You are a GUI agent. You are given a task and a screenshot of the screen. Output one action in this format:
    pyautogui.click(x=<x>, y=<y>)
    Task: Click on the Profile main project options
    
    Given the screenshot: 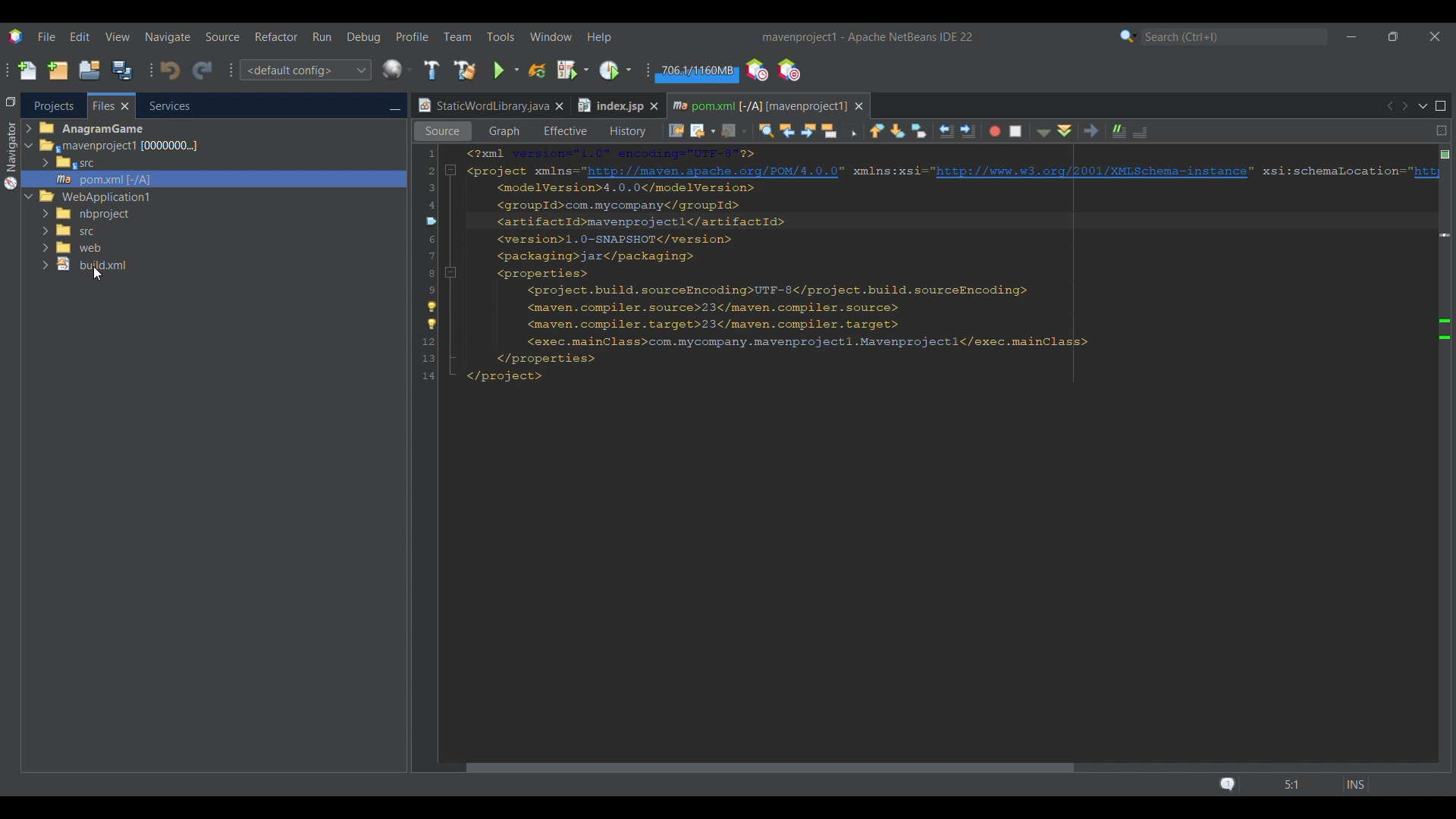 What is the action you would take?
    pyautogui.click(x=617, y=70)
    